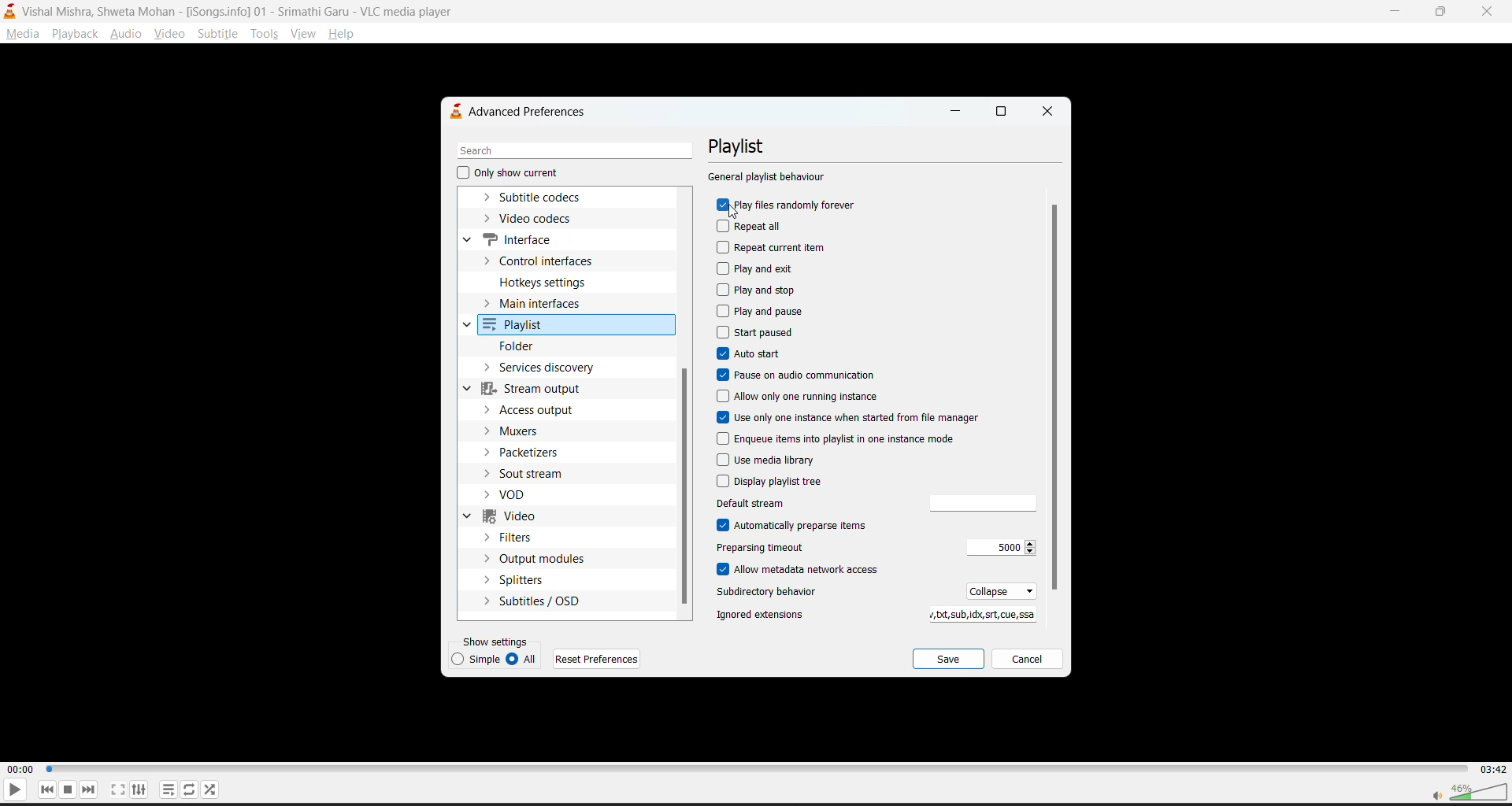  I want to click on use only one instance when started from file manager, so click(845, 419).